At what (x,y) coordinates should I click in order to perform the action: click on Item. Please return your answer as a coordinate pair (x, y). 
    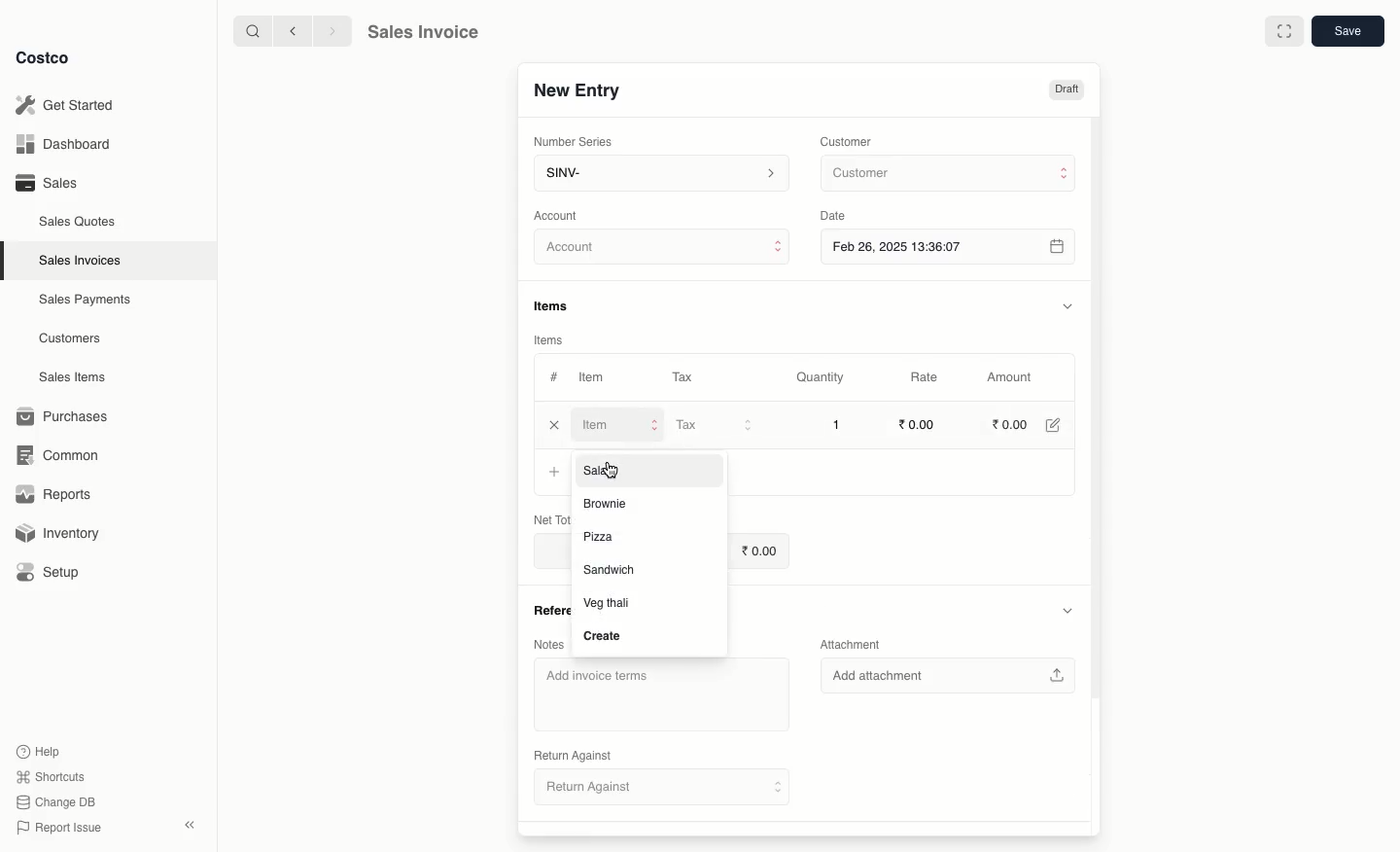
    Looking at the image, I should click on (617, 424).